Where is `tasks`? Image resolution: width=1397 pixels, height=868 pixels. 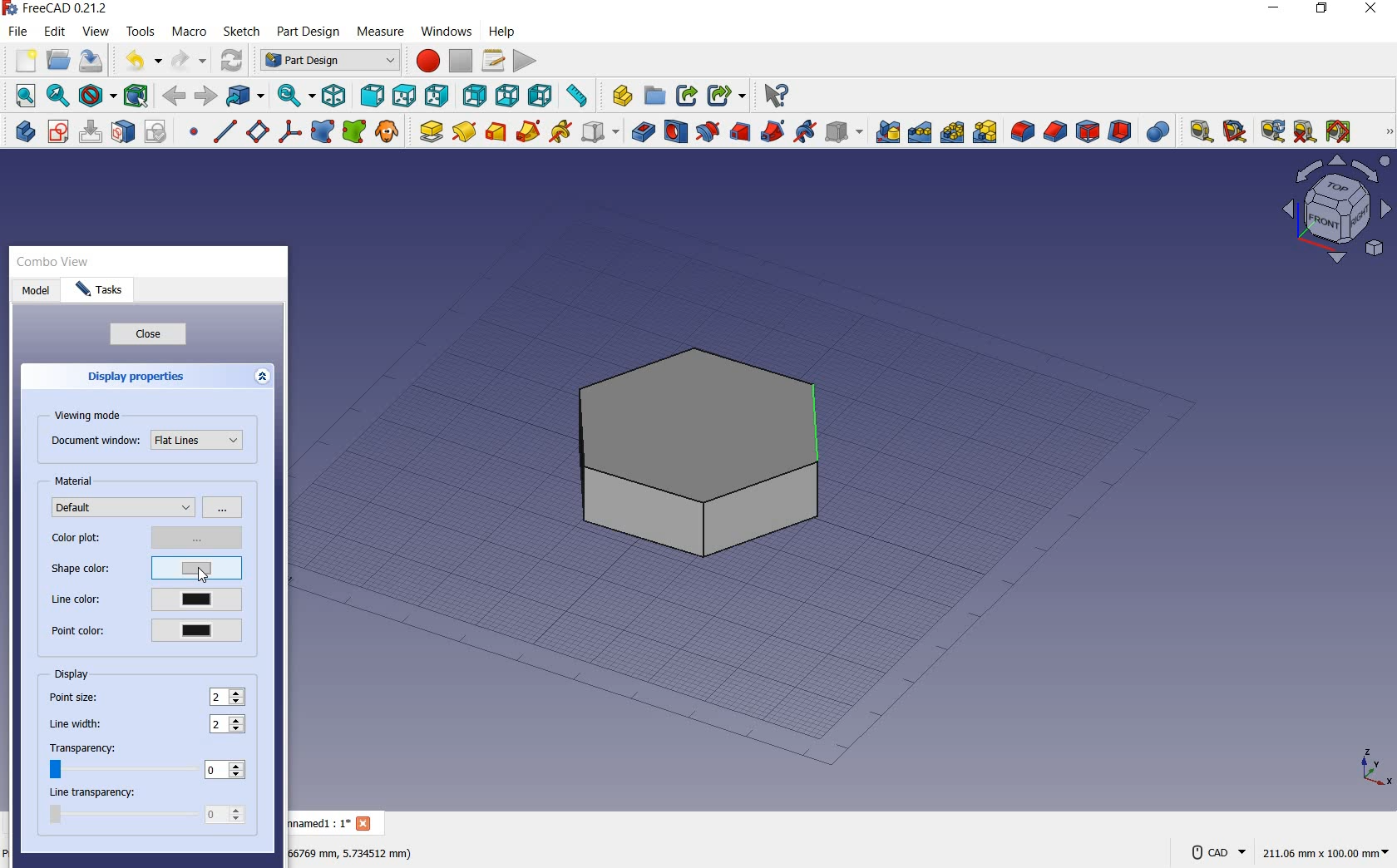 tasks is located at coordinates (108, 293).